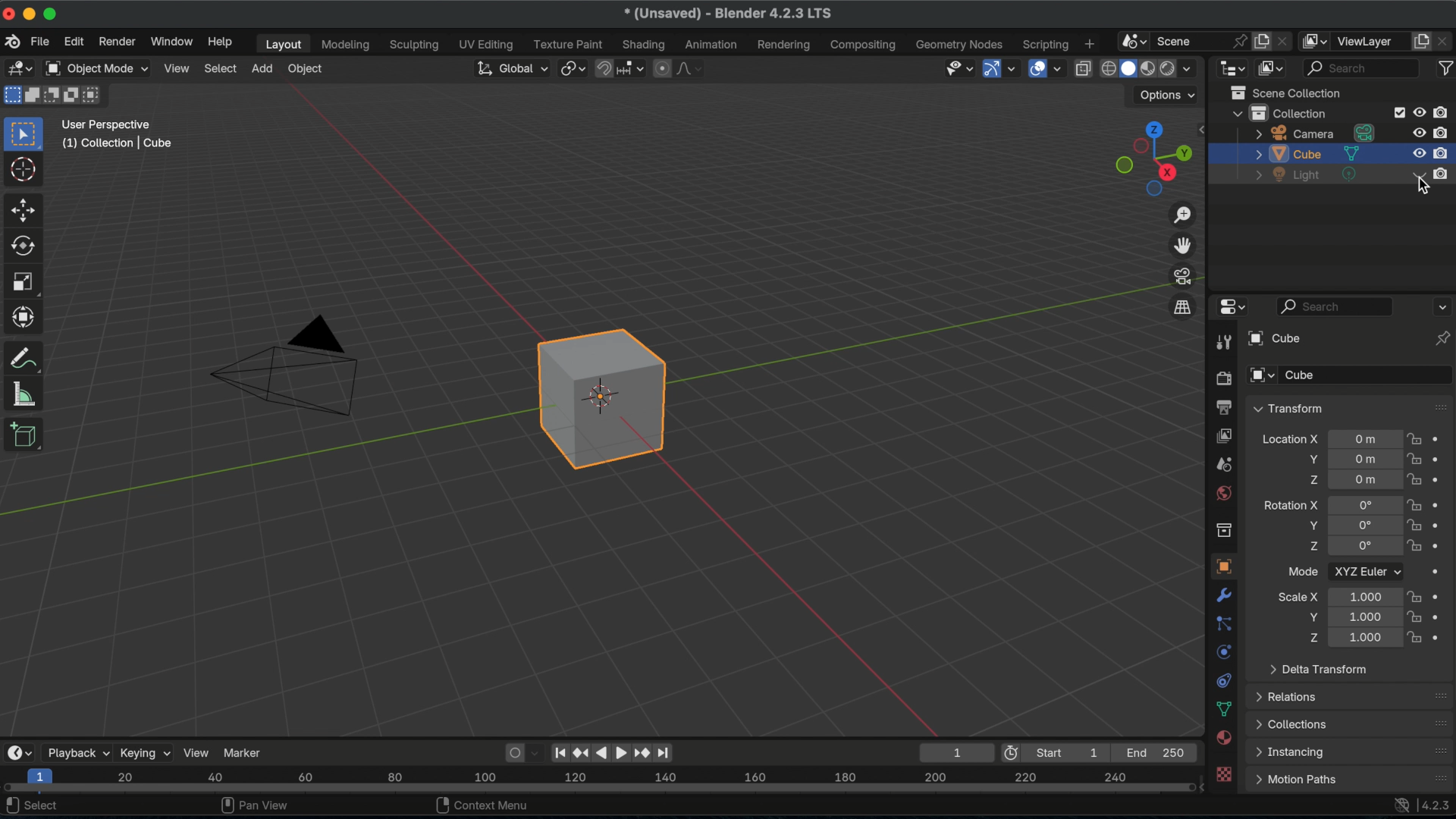 This screenshot has height=819, width=1456. I want to click on UV editing, so click(488, 43).